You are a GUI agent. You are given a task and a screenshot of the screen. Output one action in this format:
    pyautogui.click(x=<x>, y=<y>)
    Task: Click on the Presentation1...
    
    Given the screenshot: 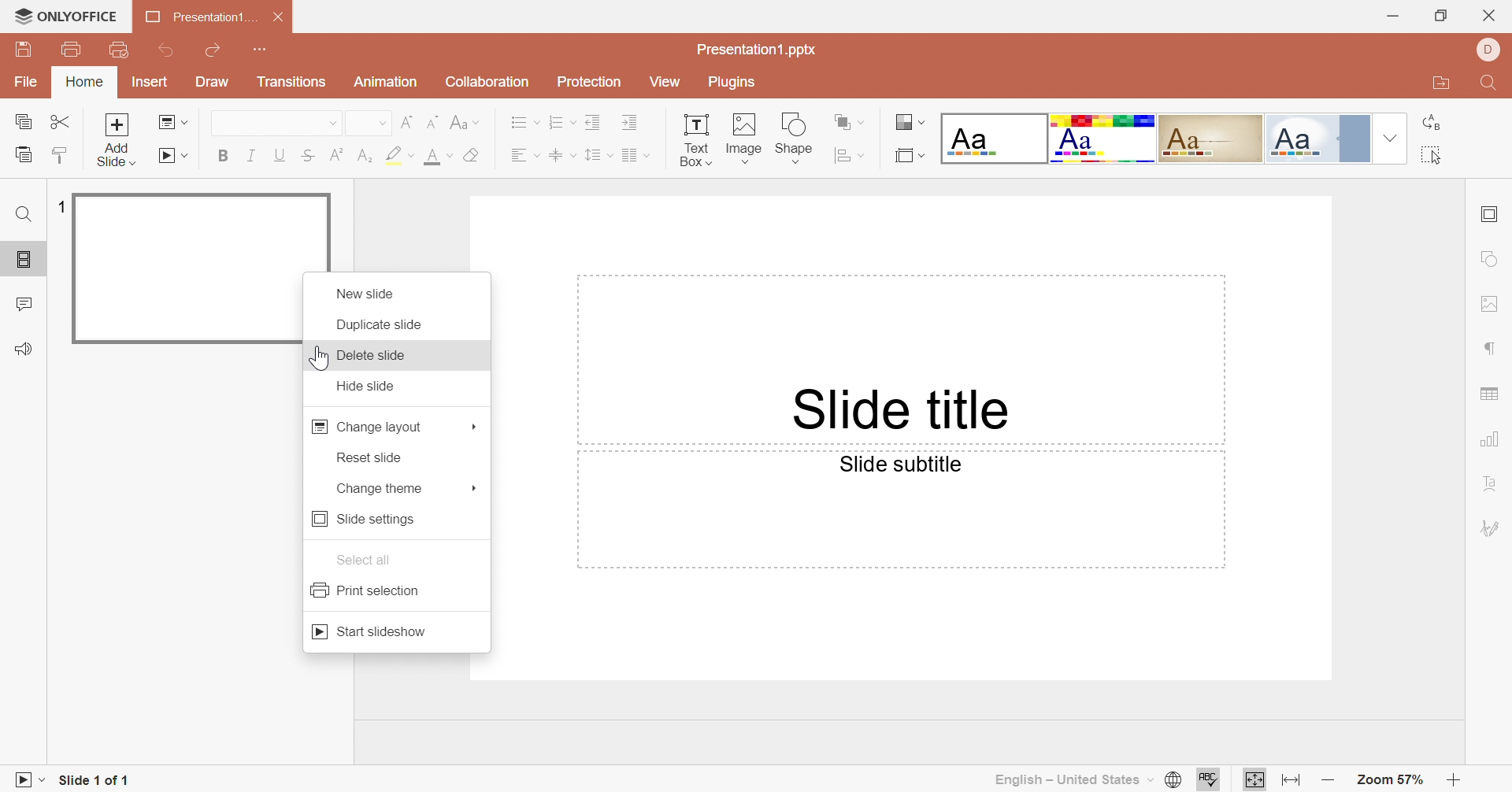 What is the action you would take?
    pyautogui.click(x=201, y=16)
    